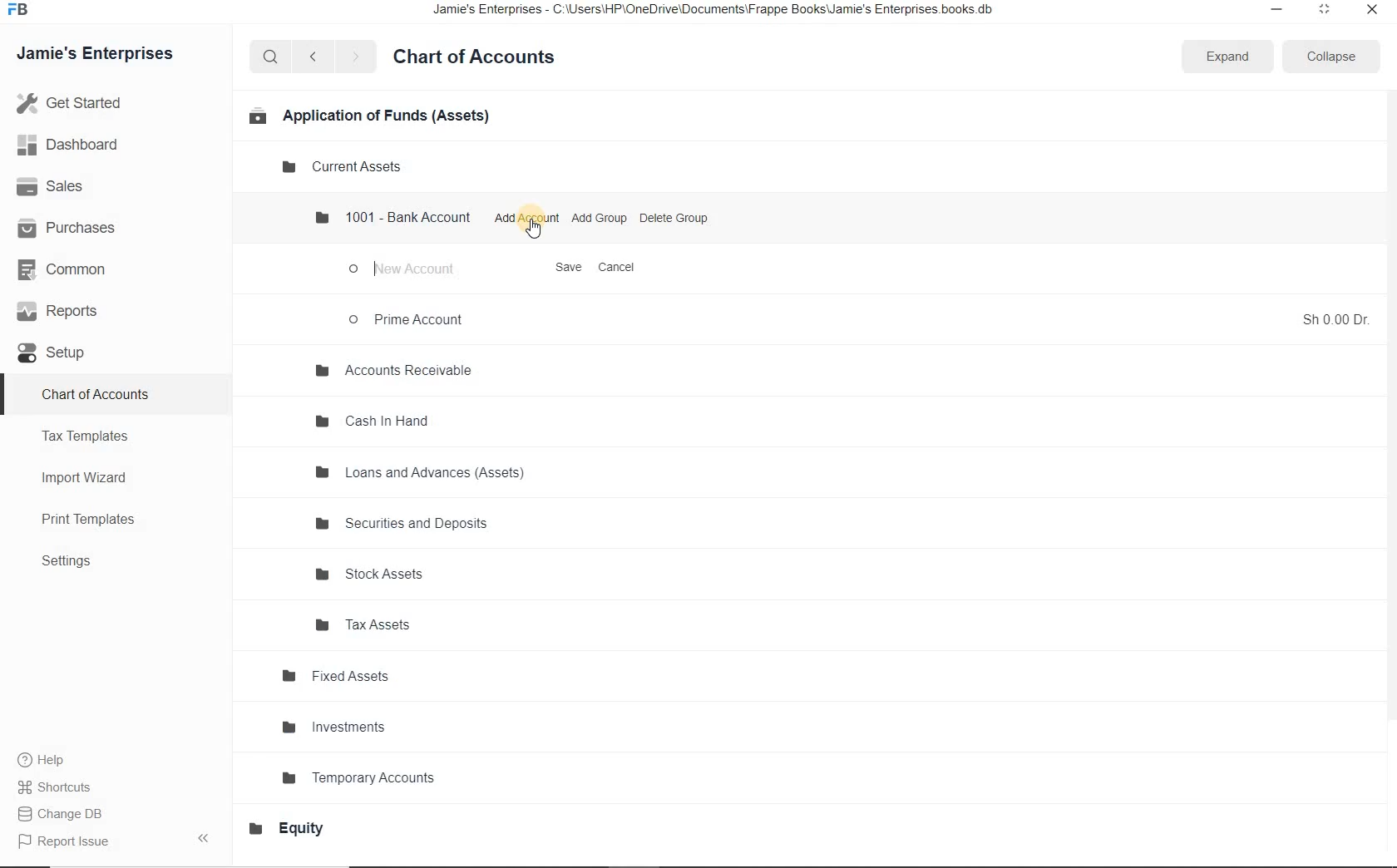 Image resolution: width=1397 pixels, height=868 pixels. I want to click on Dashboard, so click(86, 146).